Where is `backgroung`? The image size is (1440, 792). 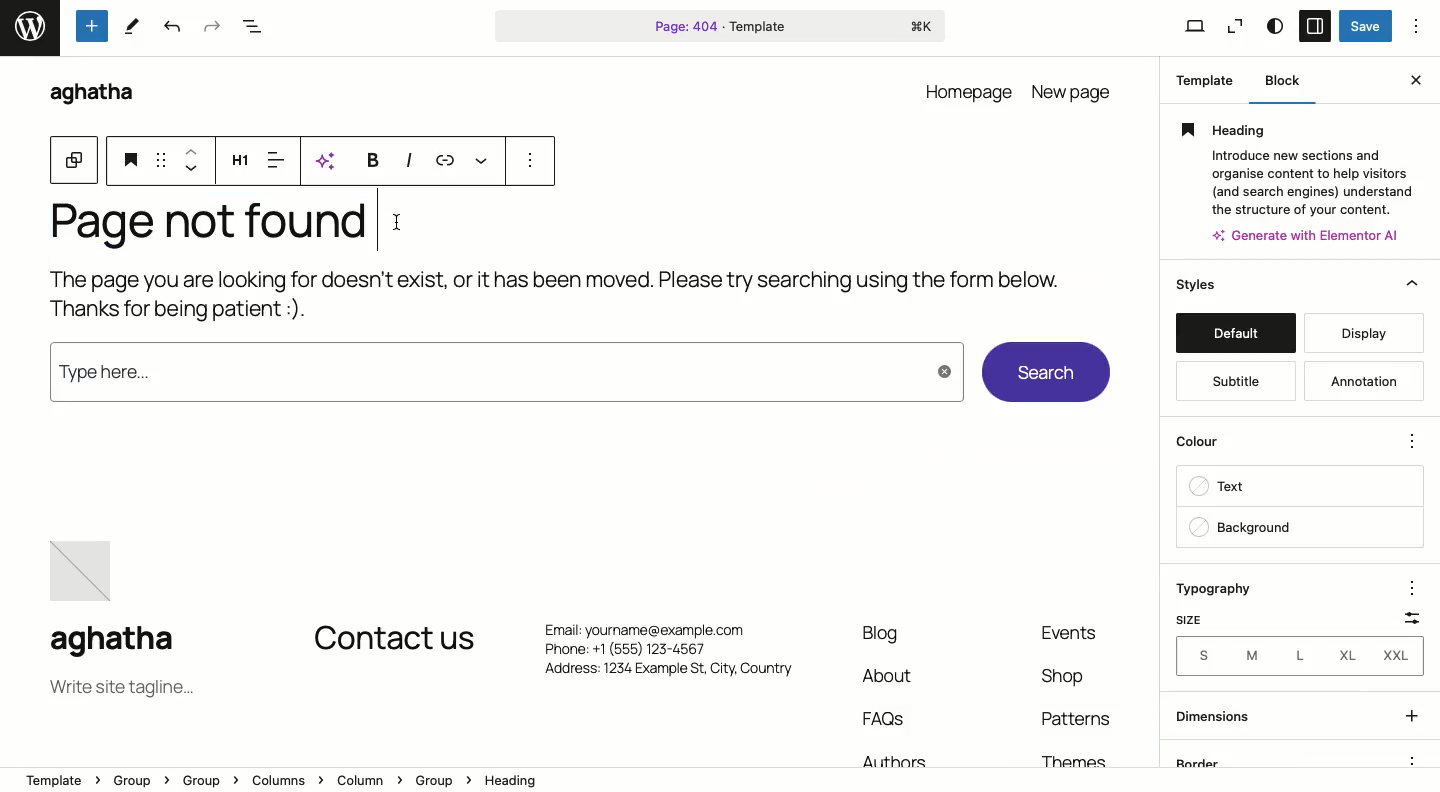
backgroung is located at coordinates (1244, 531).